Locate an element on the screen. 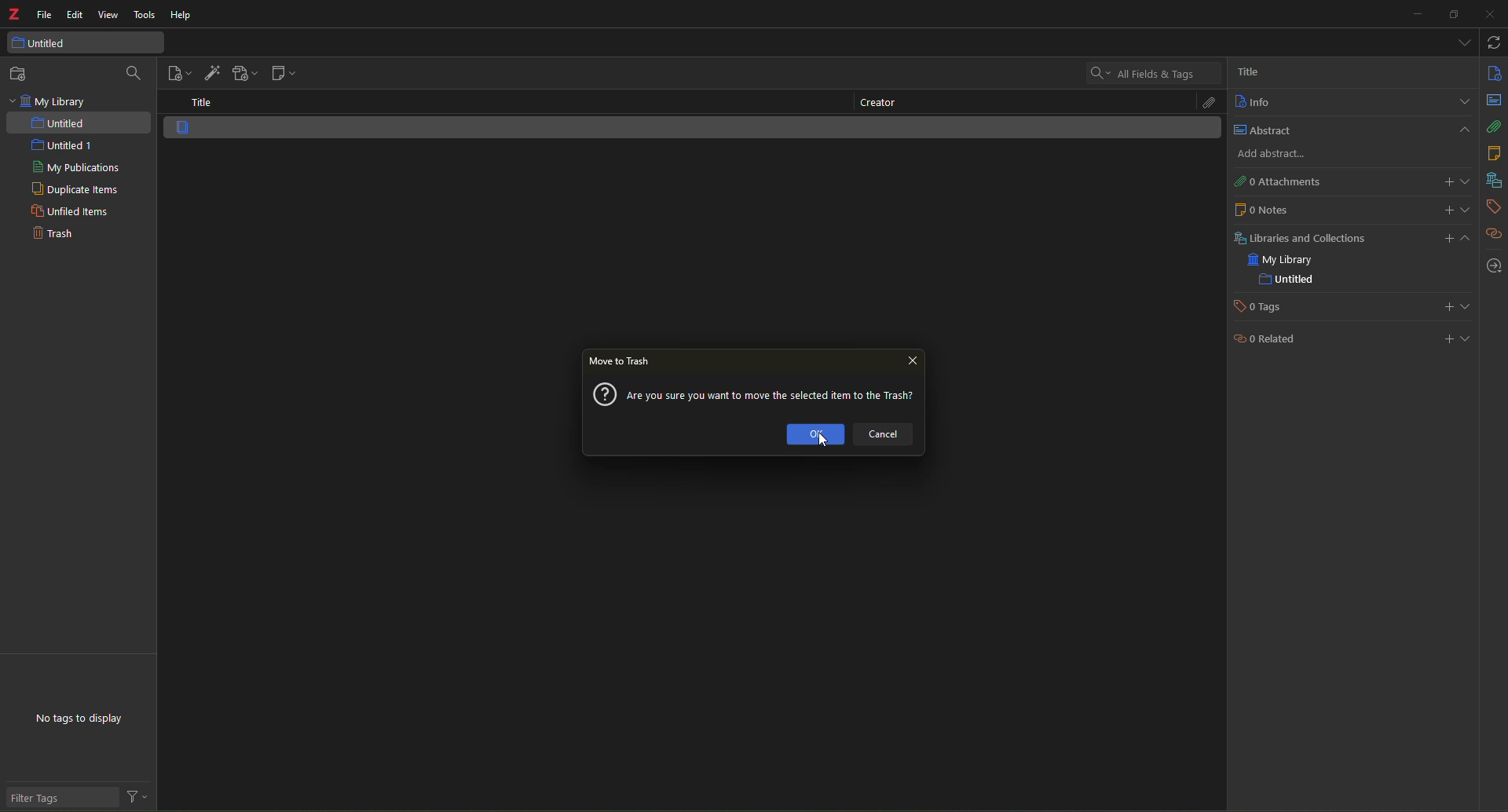  expand is located at coordinates (1462, 102).